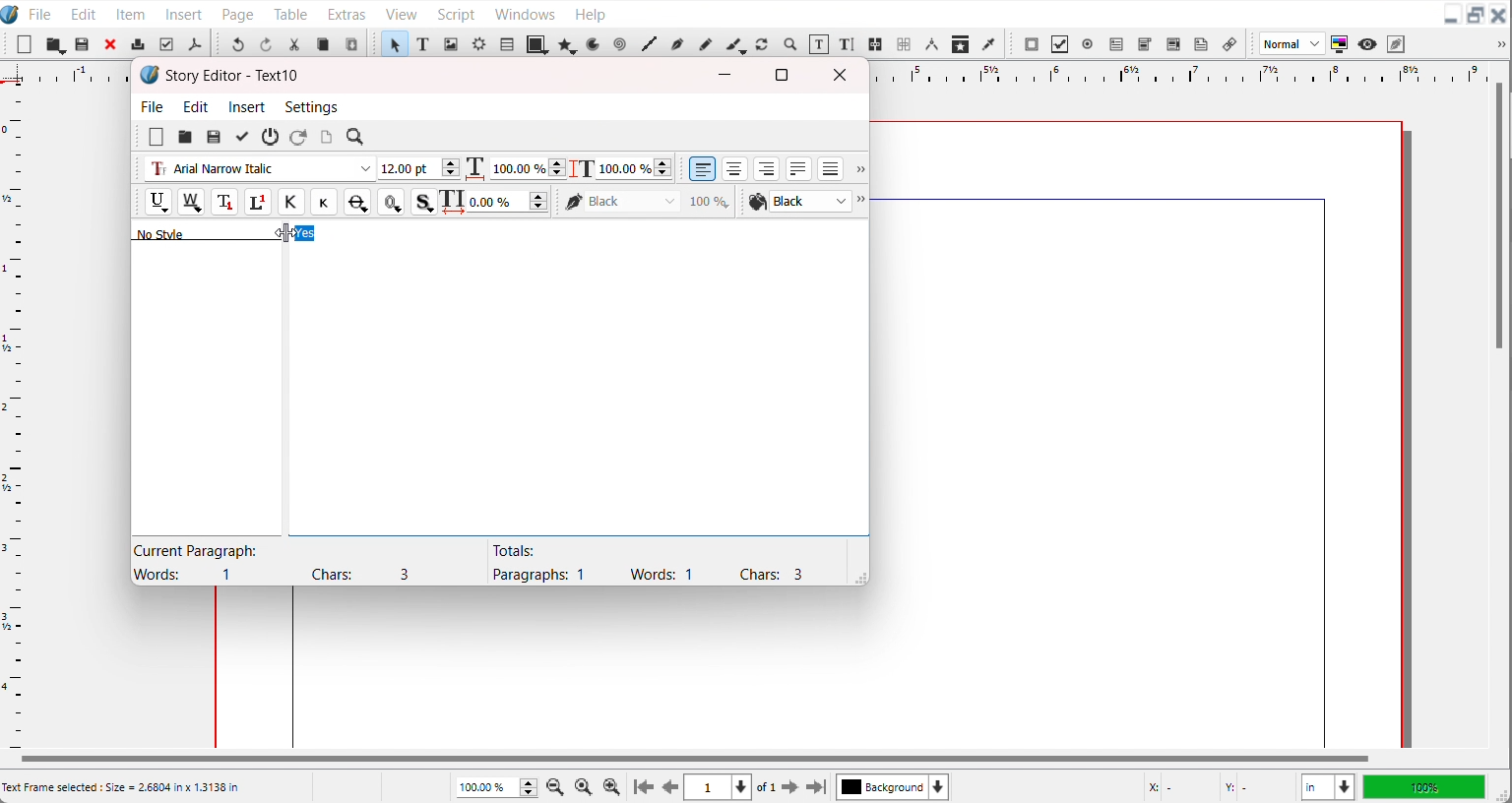 This screenshot has width=1512, height=803. What do you see at coordinates (799, 168) in the screenshot?
I see `Align text Justified` at bounding box center [799, 168].